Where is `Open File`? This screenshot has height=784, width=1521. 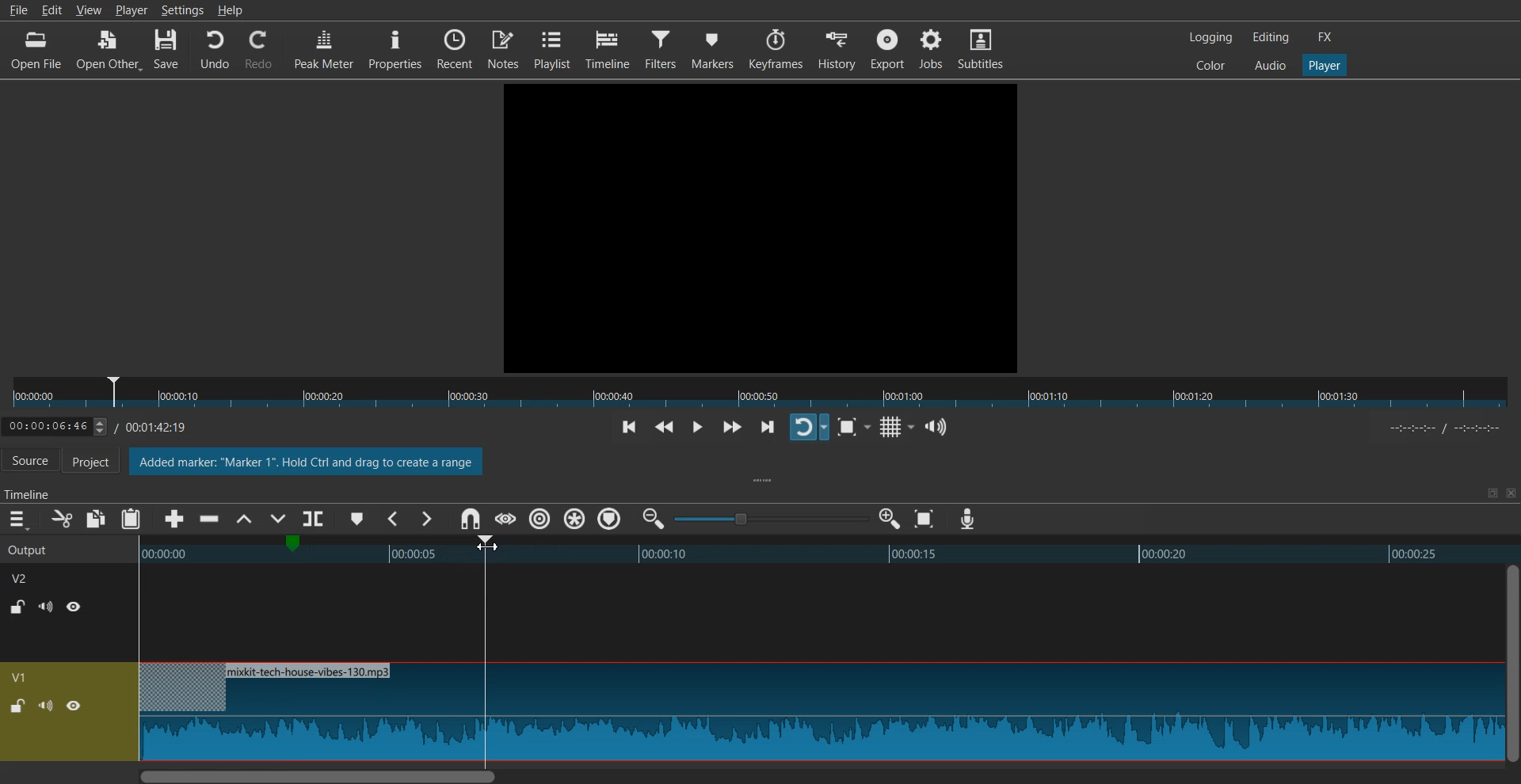
Open File is located at coordinates (38, 50).